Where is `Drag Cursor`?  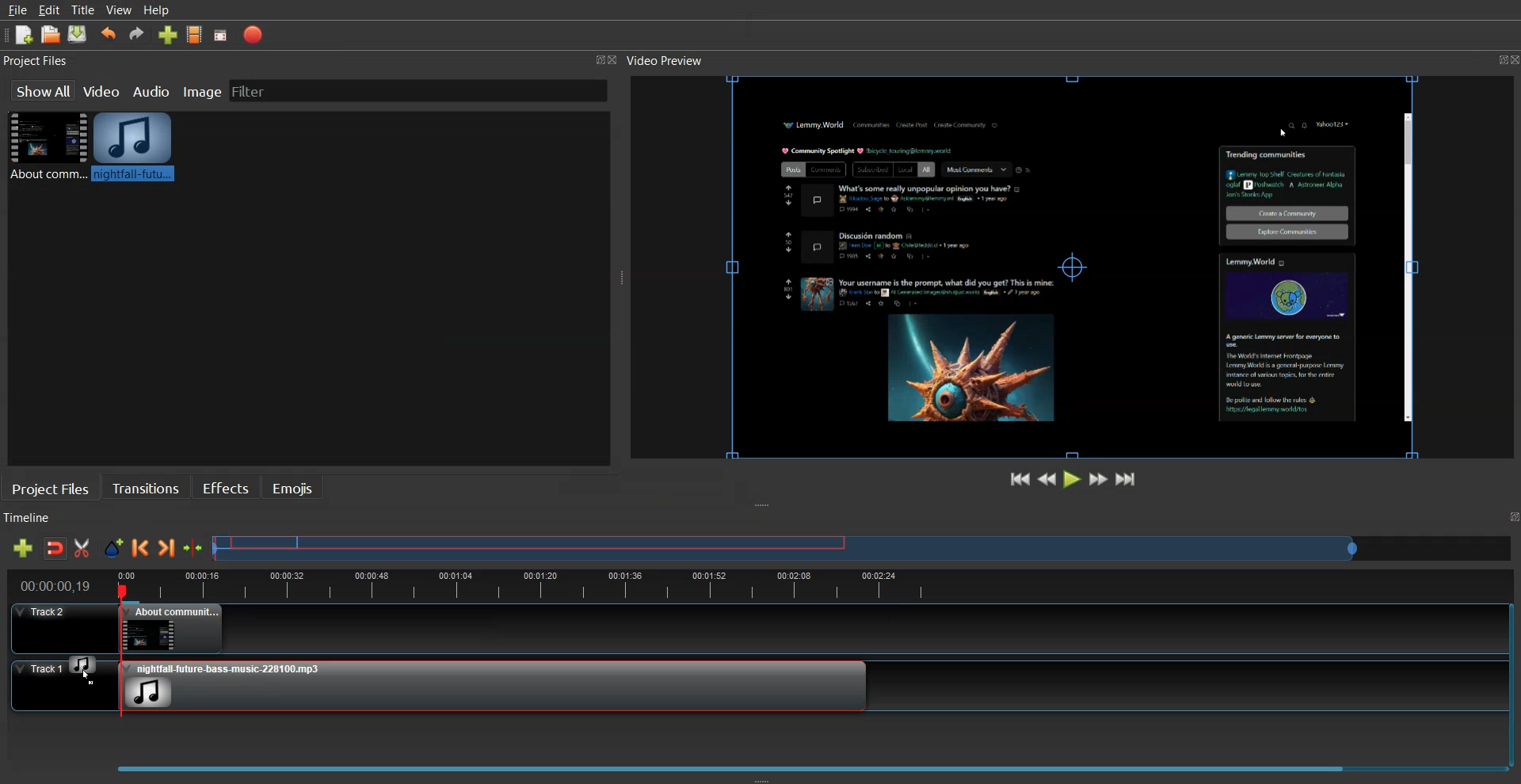
Drag Cursor is located at coordinates (83, 668).